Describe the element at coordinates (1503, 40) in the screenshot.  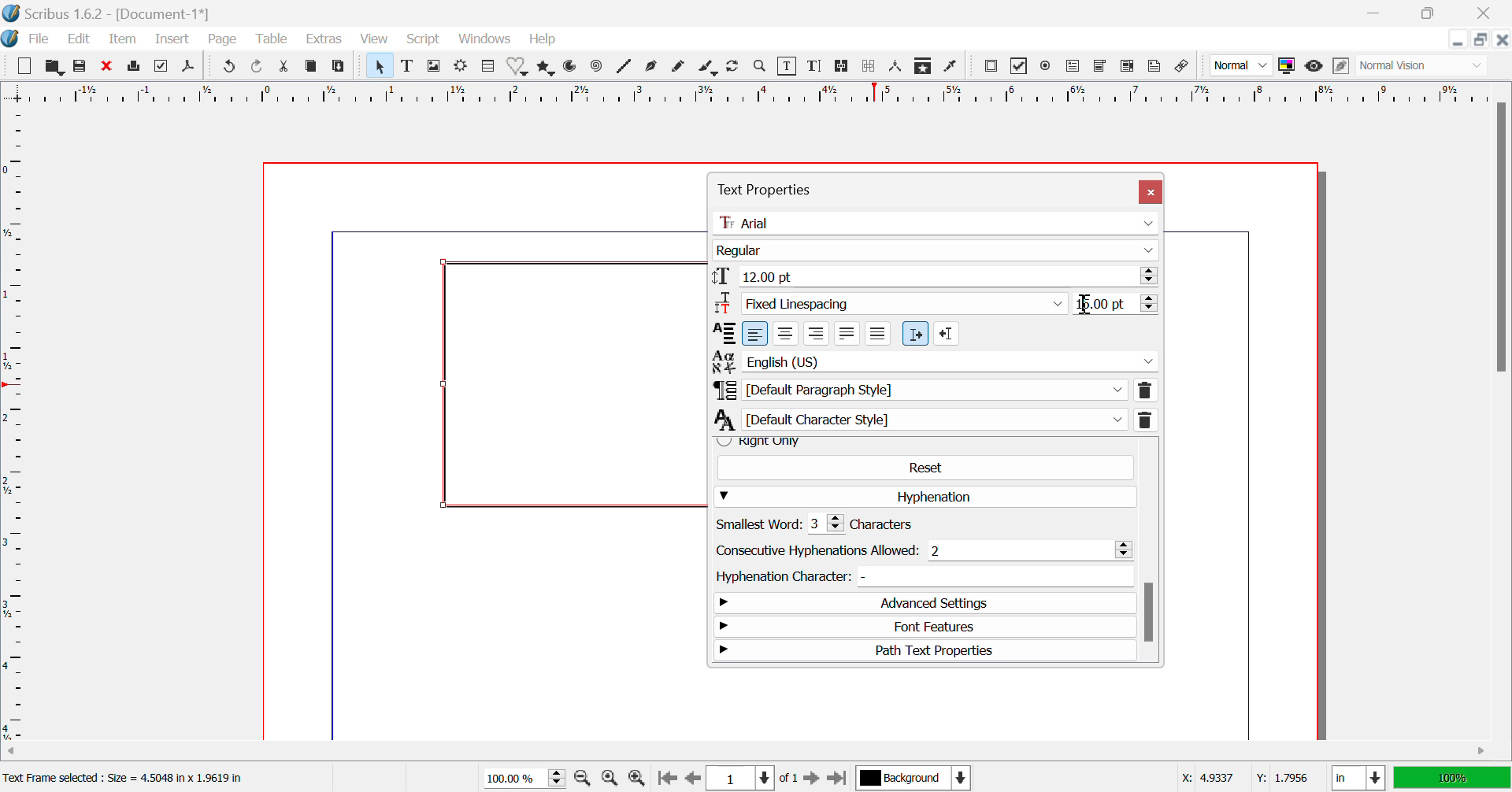
I see `Close` at that location.